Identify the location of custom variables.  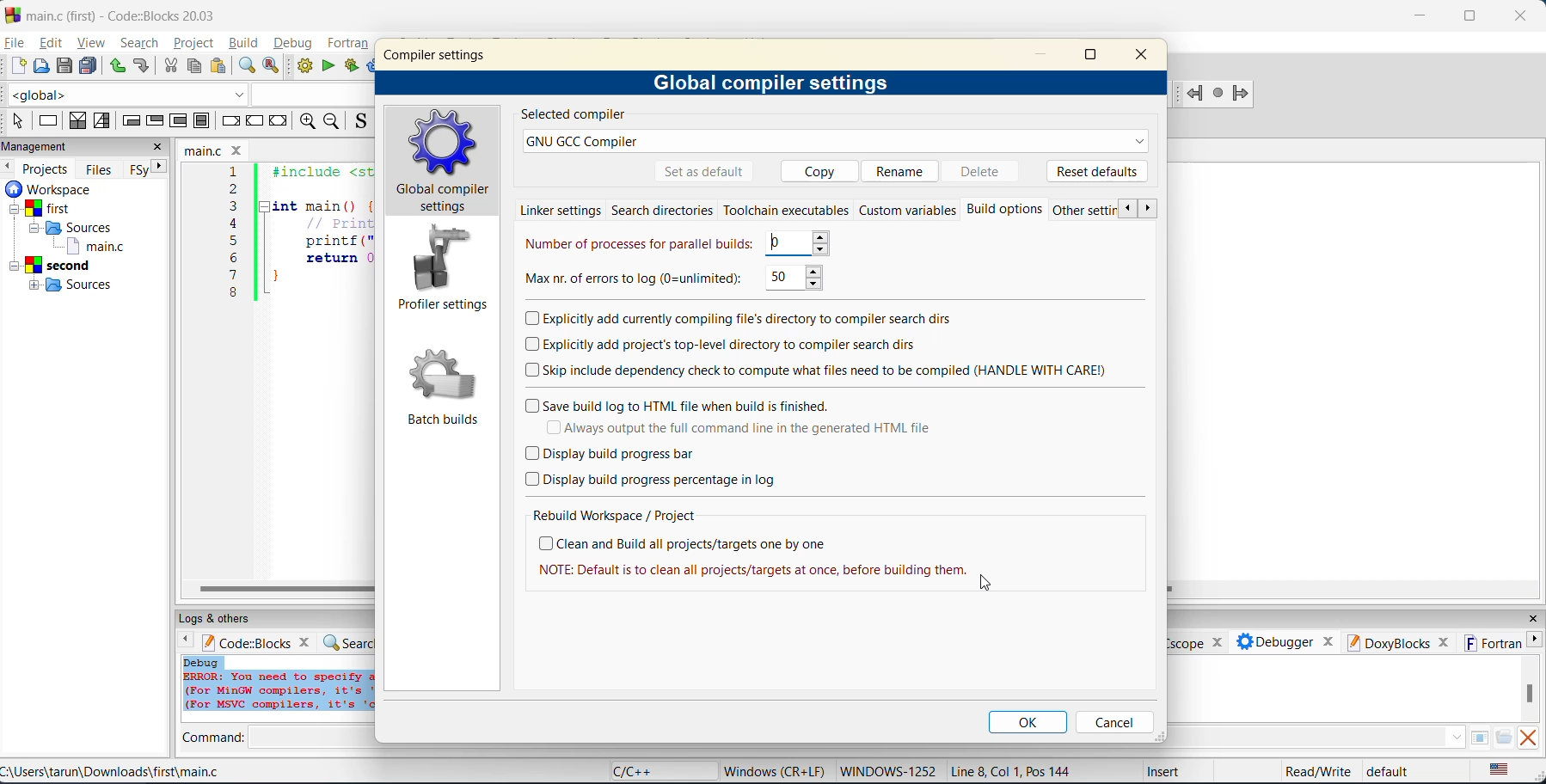
(908, 211).